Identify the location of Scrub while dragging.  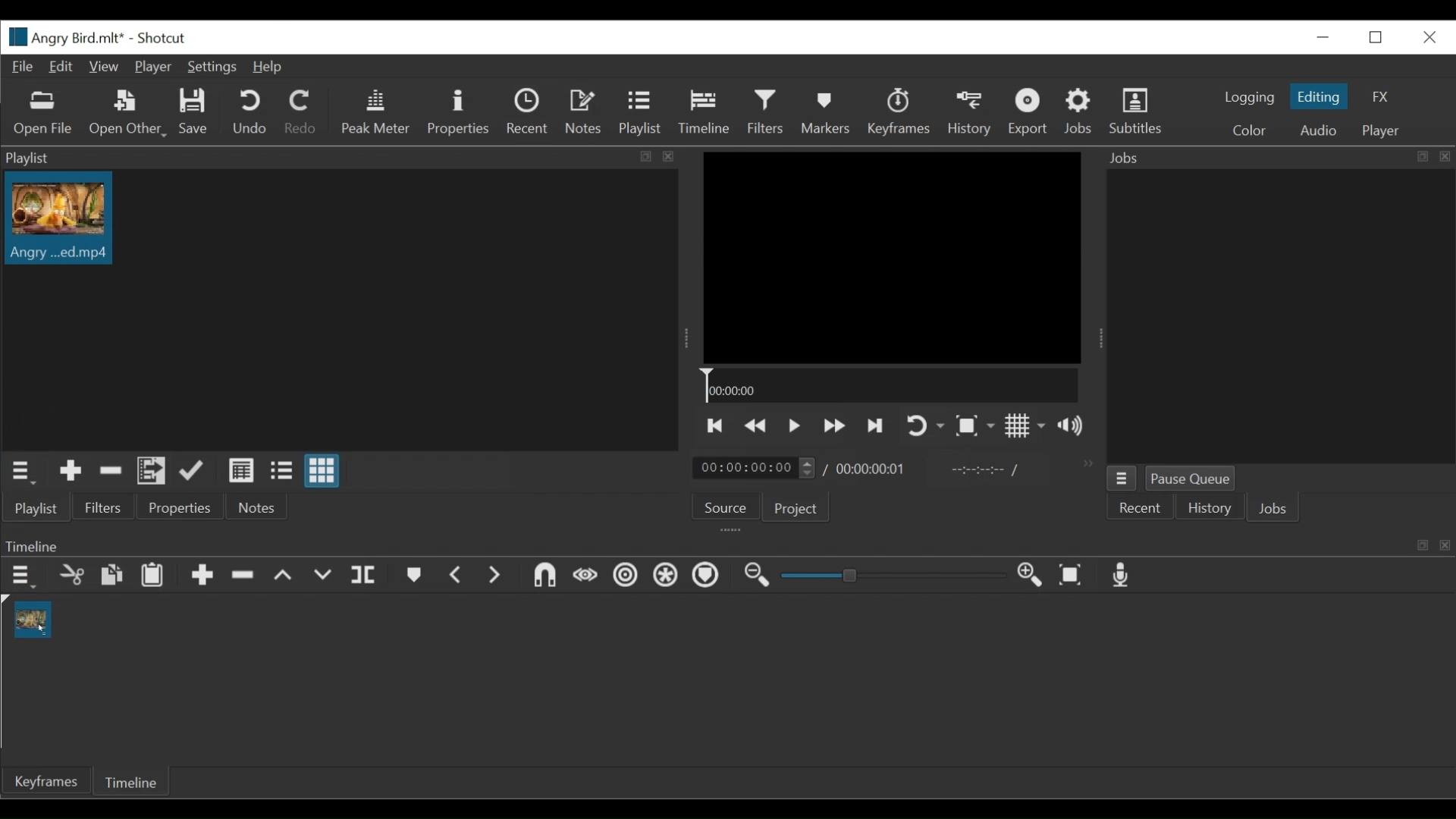
(586, 576).